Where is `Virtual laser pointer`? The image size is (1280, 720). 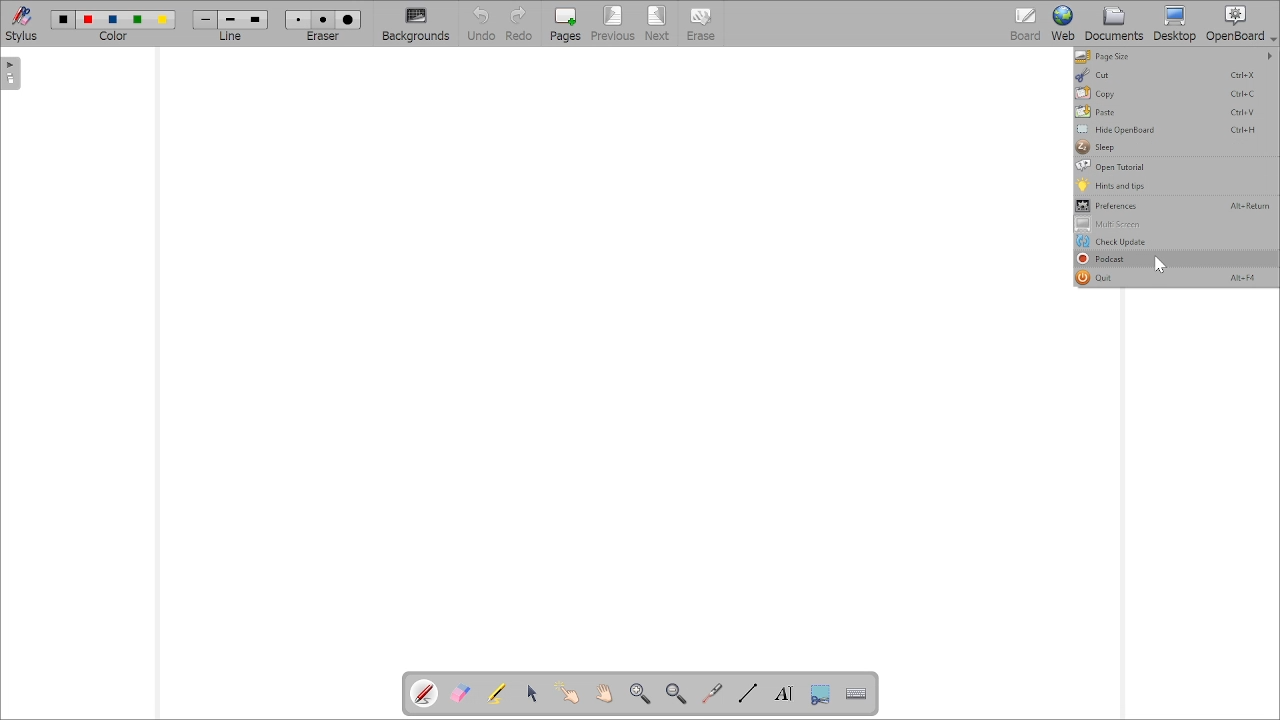 Virtual laser pointer is located at coordinates (711, 693).